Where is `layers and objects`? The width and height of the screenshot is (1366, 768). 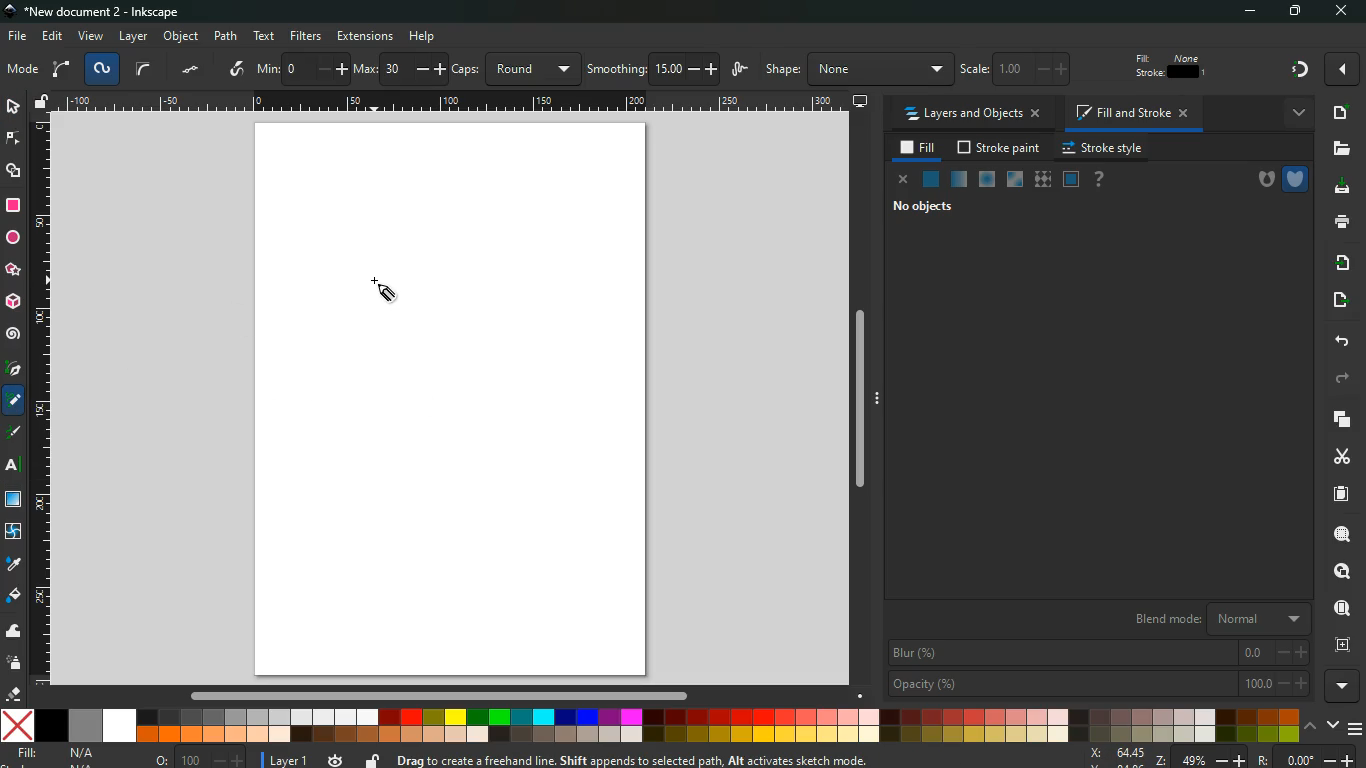 layers and objects is located at coordinates (972, 114).